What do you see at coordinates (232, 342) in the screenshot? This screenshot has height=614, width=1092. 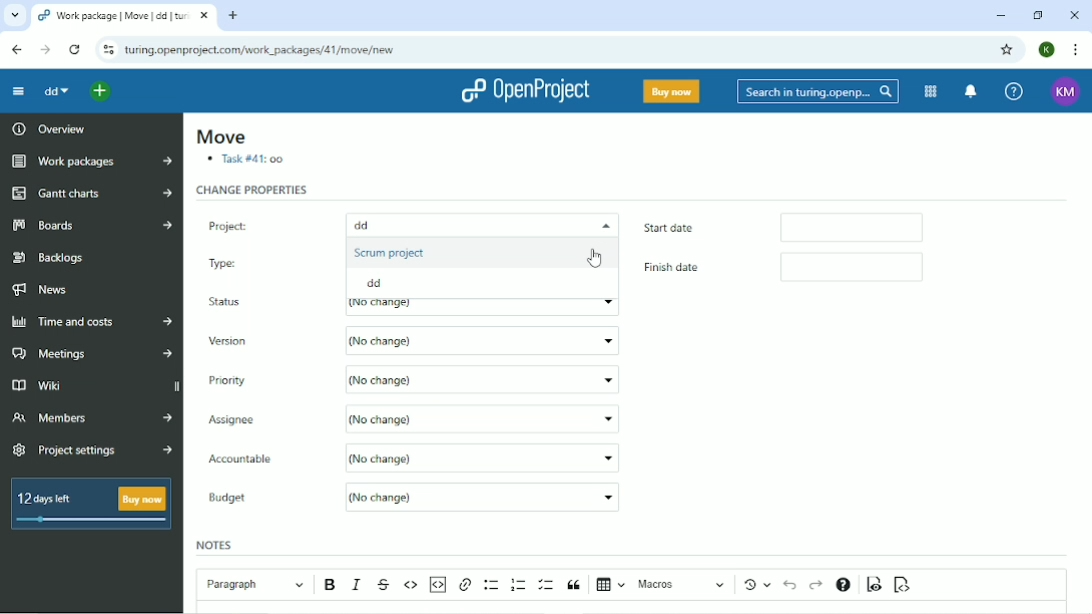 I see `Version` at bounding box center [232, 342].